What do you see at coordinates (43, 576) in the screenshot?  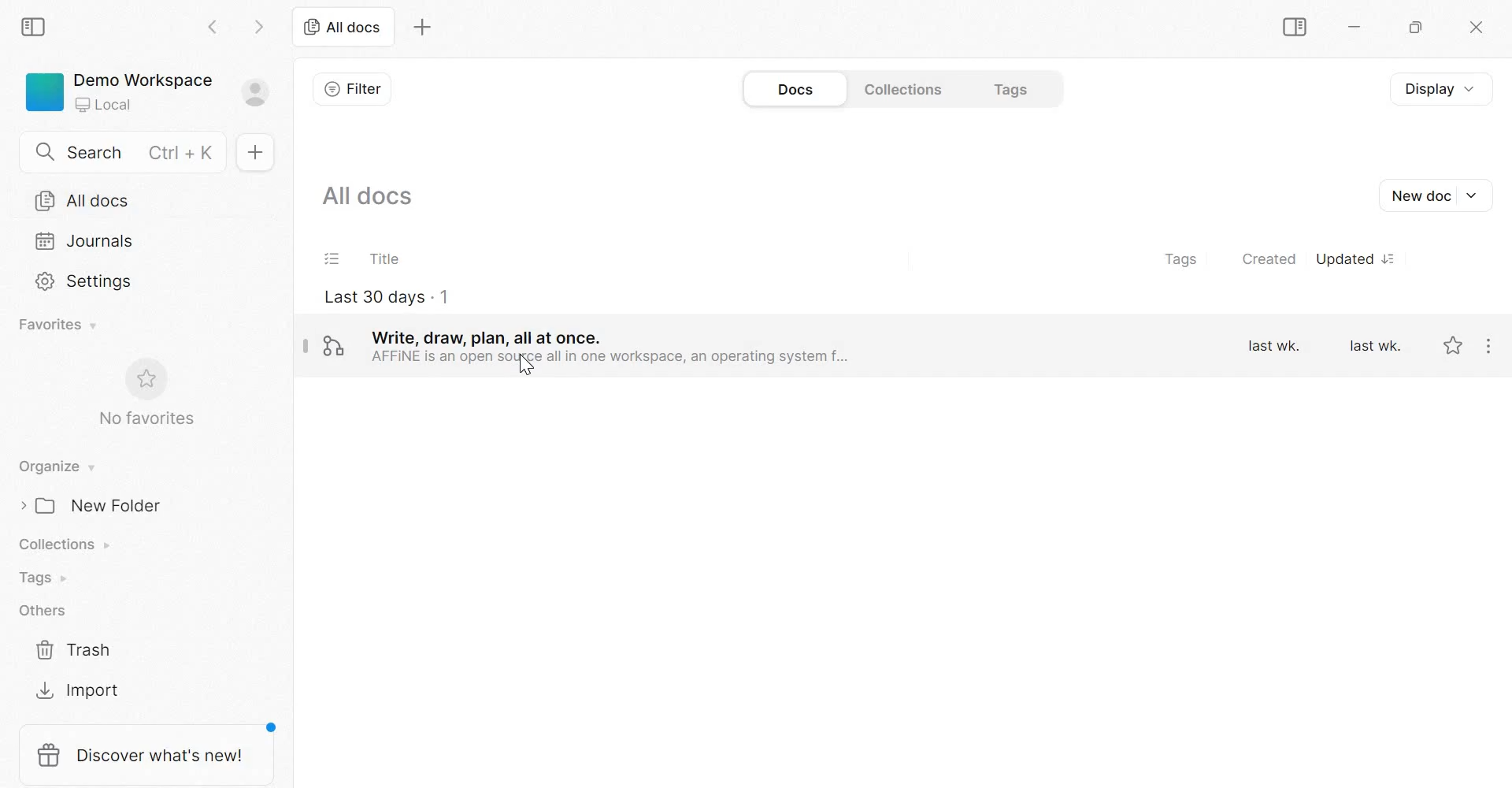 I see `Tags` at bounding box center [43, 576].